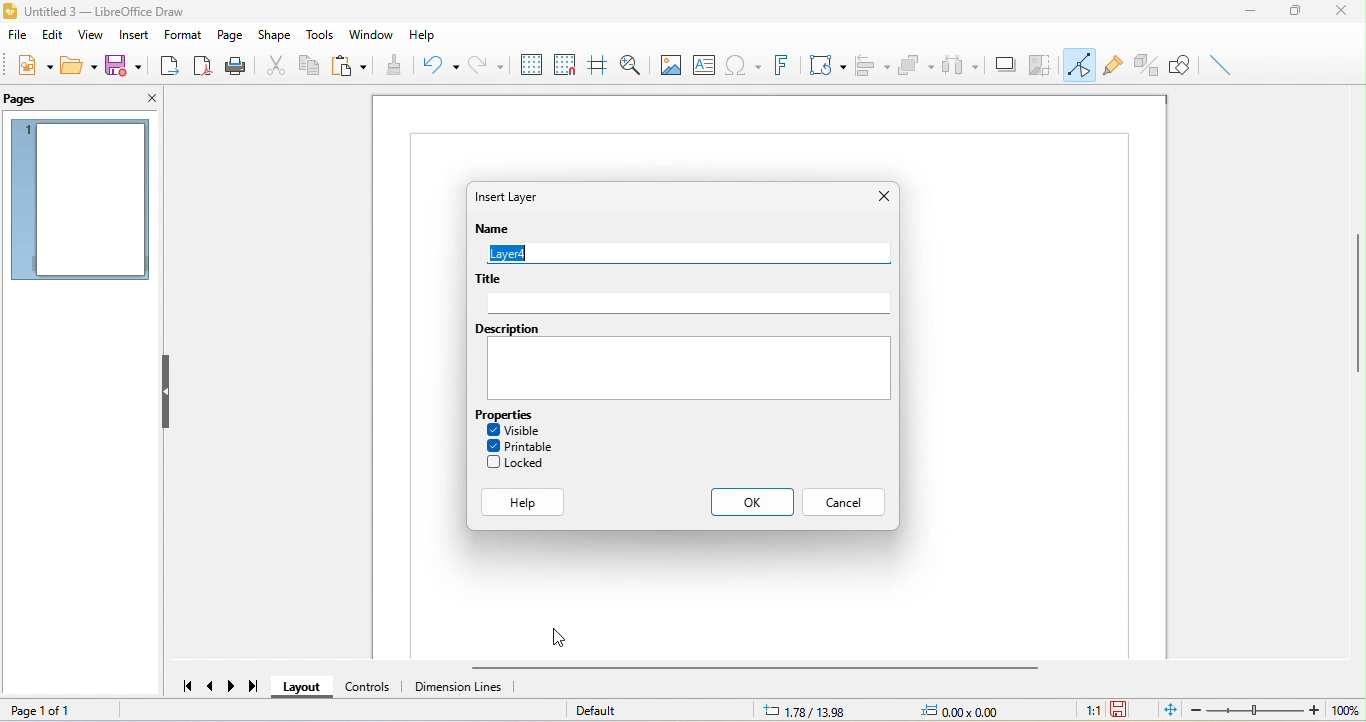 The height and width of the screenshot is (722, 1366). What do you see at coordinates (240, 66) in the screenshot?
I see `print` at bounding box center [240, 66].